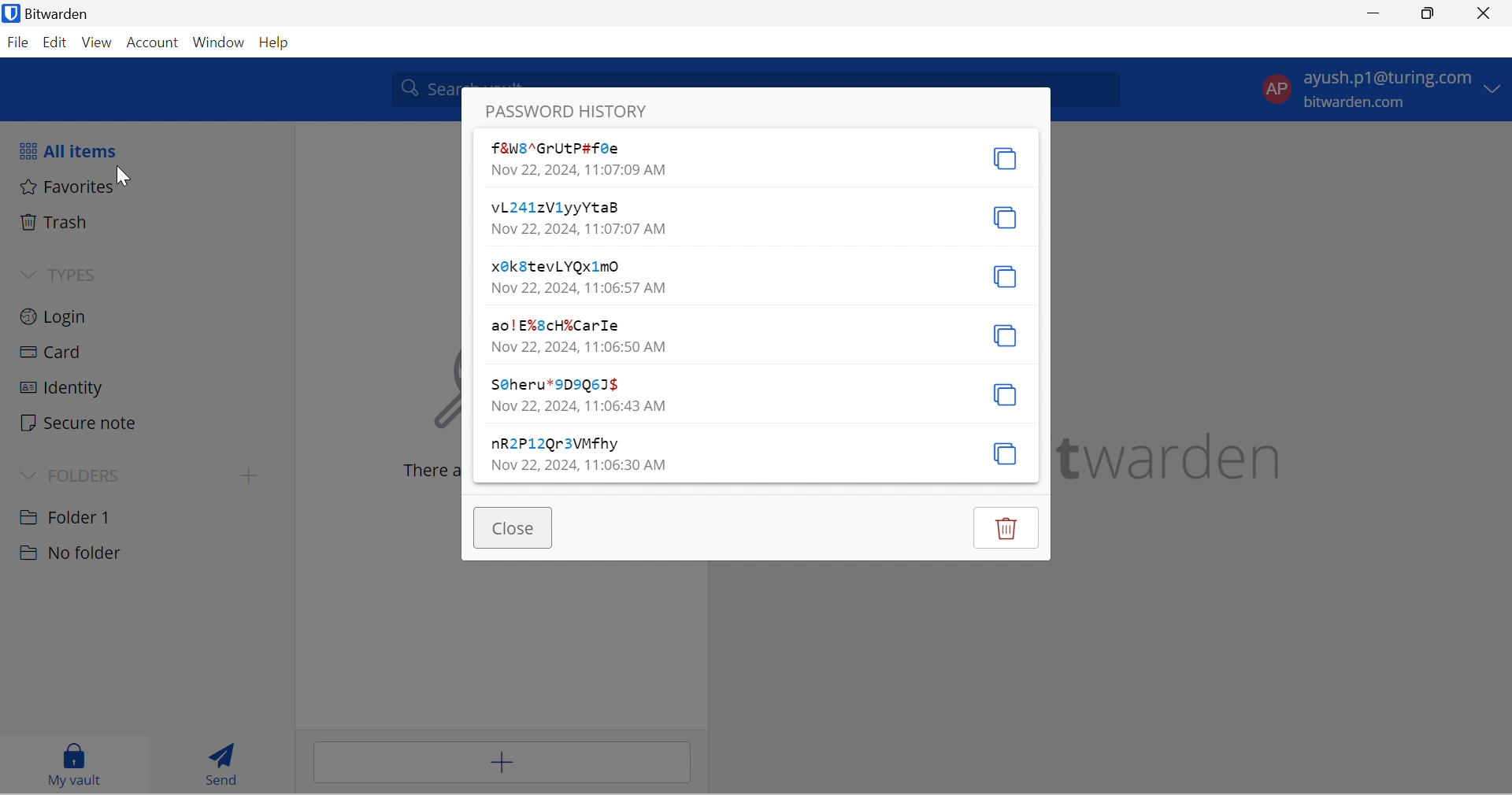  Describe the element at coordinates (1485, 13) in the screenshot. I see `close` at that location.